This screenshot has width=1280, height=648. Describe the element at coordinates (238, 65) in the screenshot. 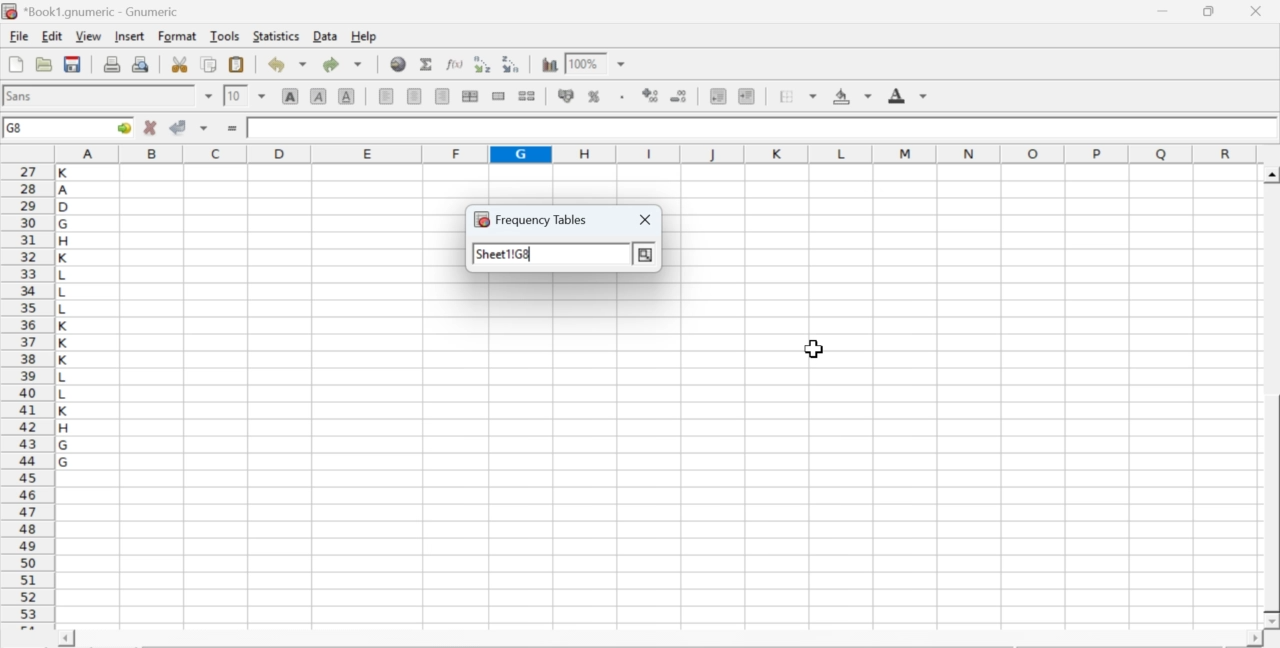

I see `paste` at that location.